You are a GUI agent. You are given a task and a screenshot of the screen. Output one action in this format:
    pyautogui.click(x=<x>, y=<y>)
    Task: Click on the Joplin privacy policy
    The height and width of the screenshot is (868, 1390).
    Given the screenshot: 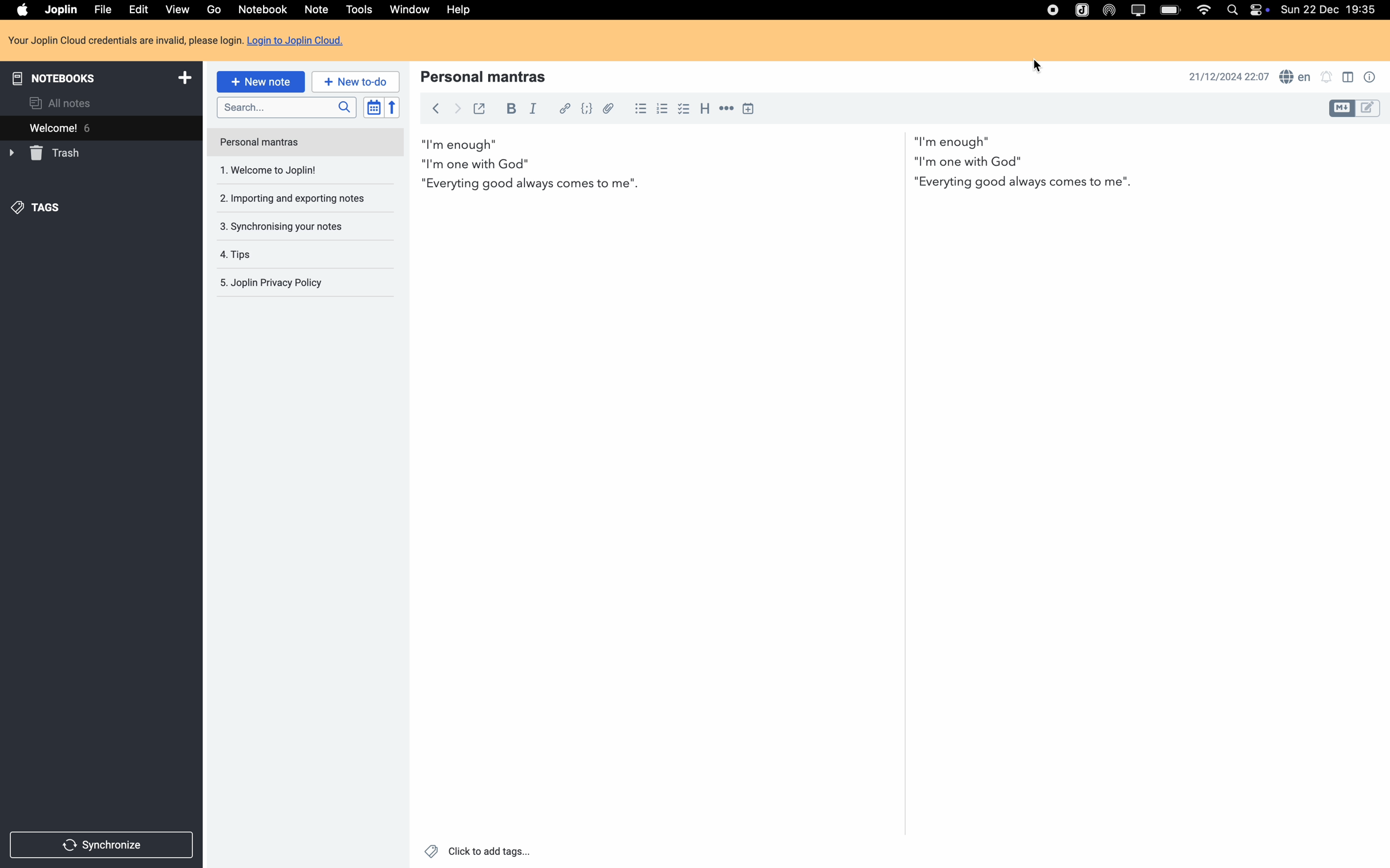 What is the action you would take?
    pyautogui.click(x=273, y=283)
    